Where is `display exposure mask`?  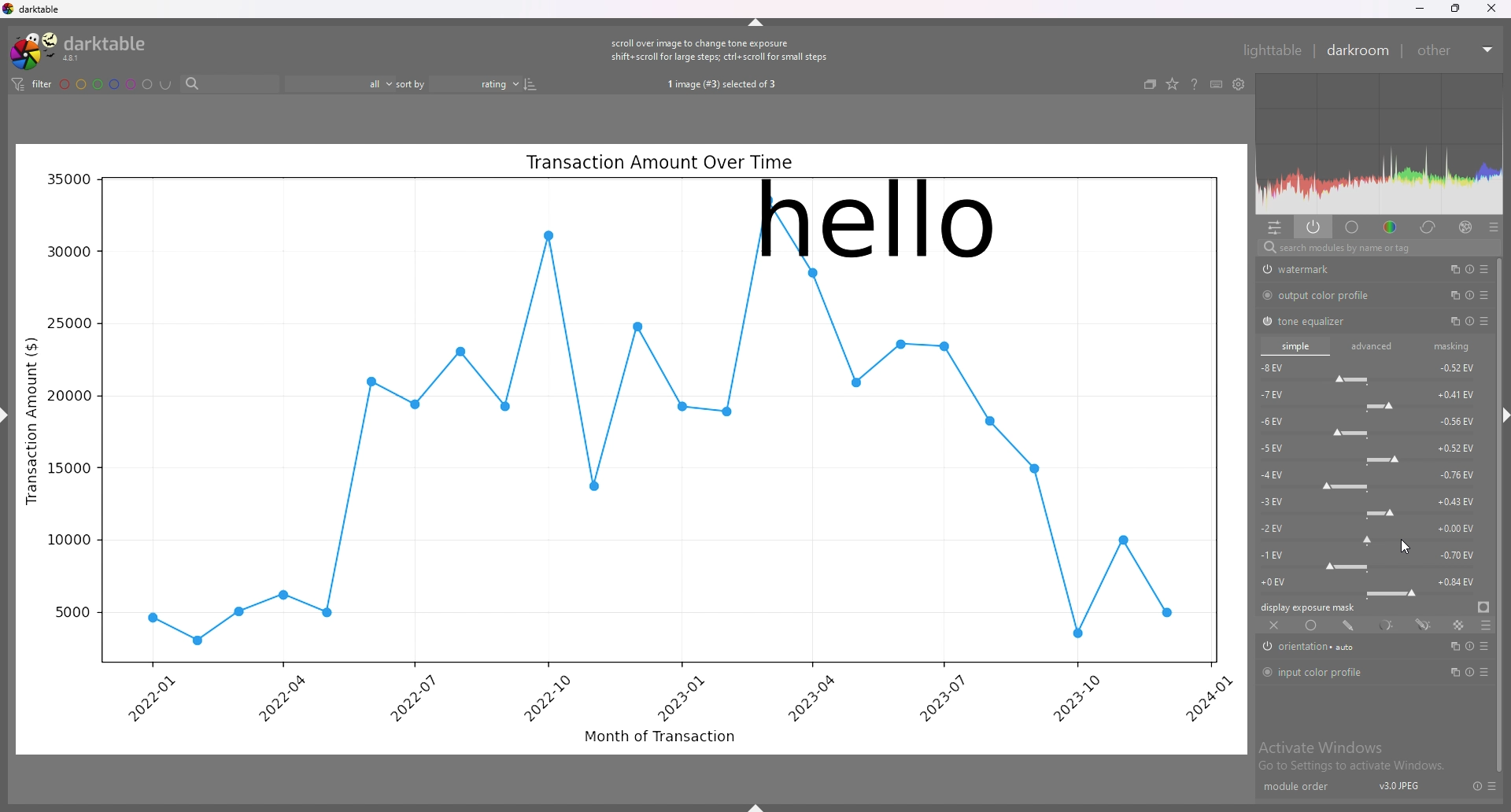
display exposure mask is located at coordinates (1483, 607).